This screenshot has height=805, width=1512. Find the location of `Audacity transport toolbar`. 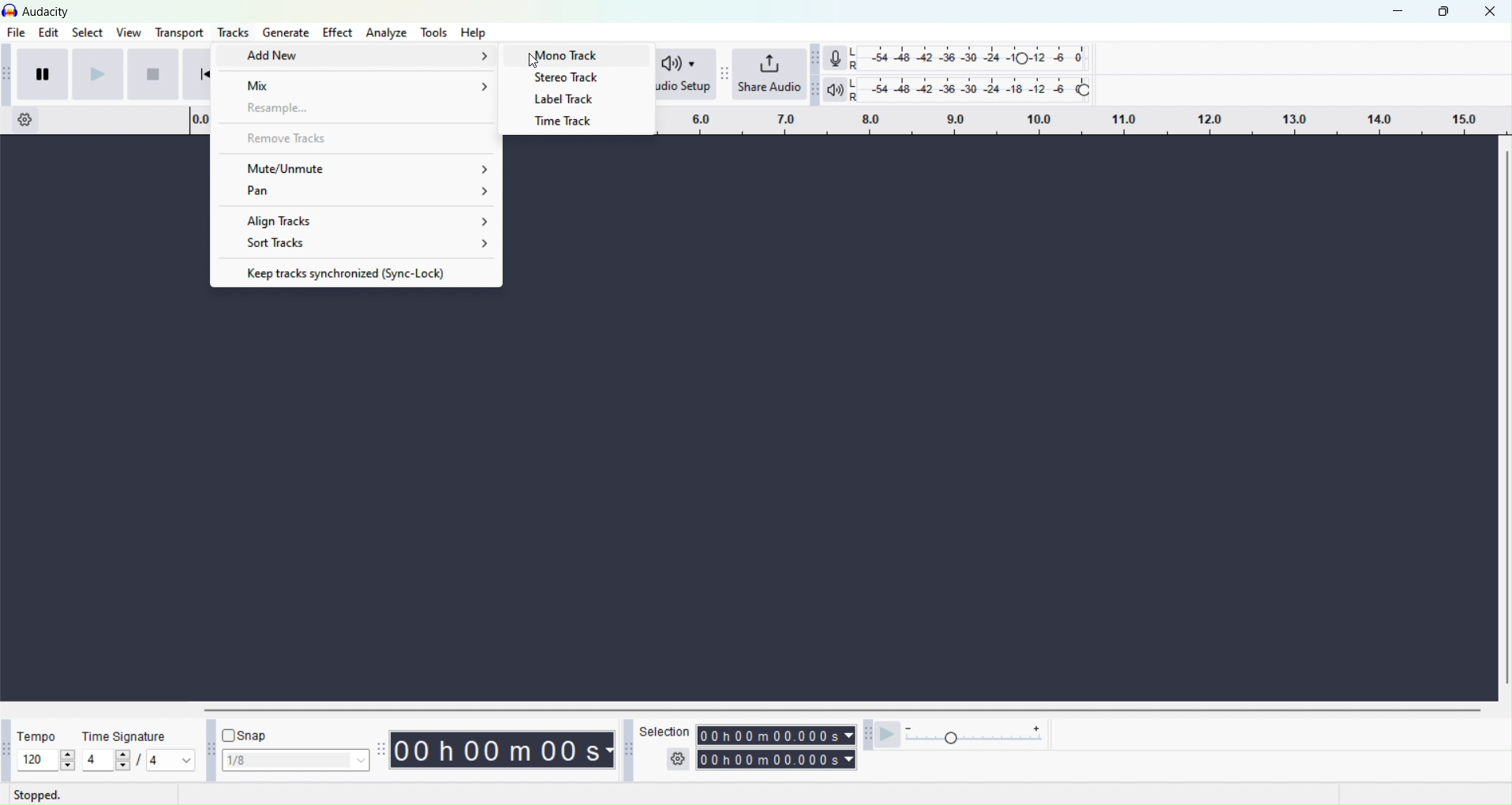

Audacity transport toolbar is located at coordinates (9, 73).